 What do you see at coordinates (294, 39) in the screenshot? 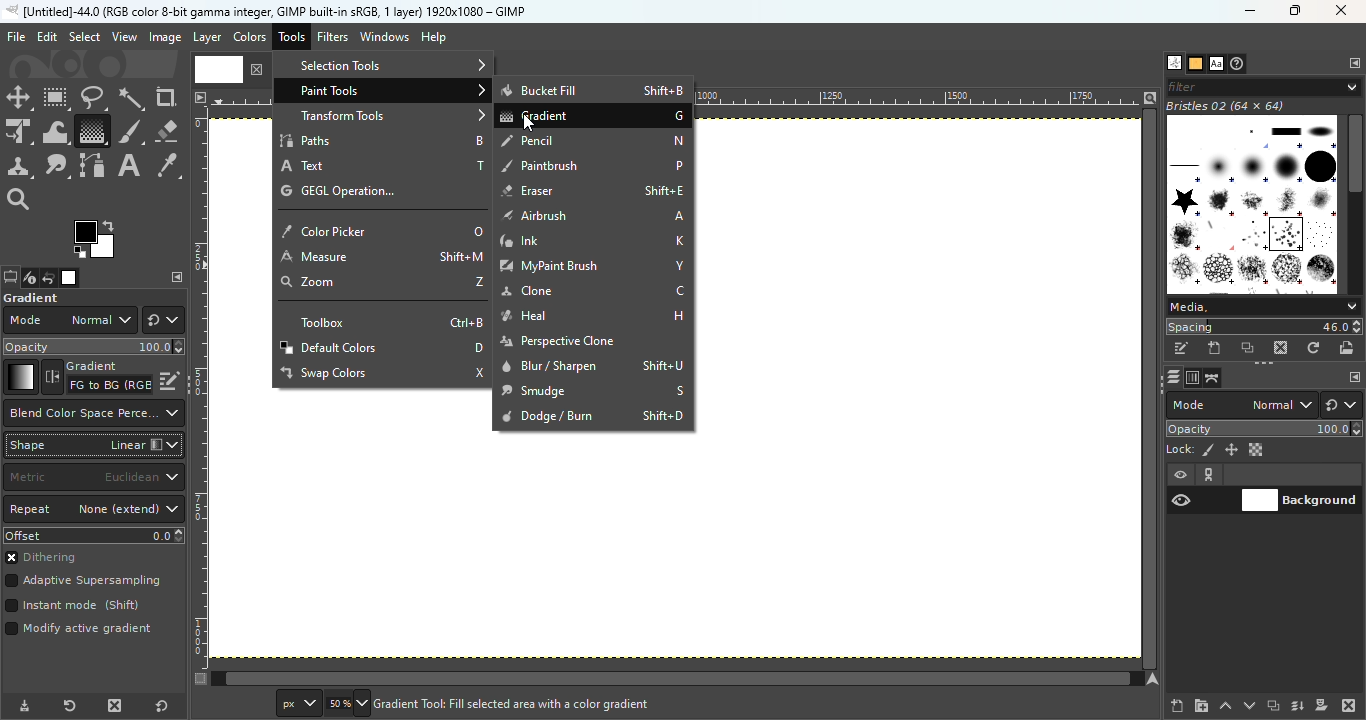
I see `Tools` at bounding box center [294, 39].